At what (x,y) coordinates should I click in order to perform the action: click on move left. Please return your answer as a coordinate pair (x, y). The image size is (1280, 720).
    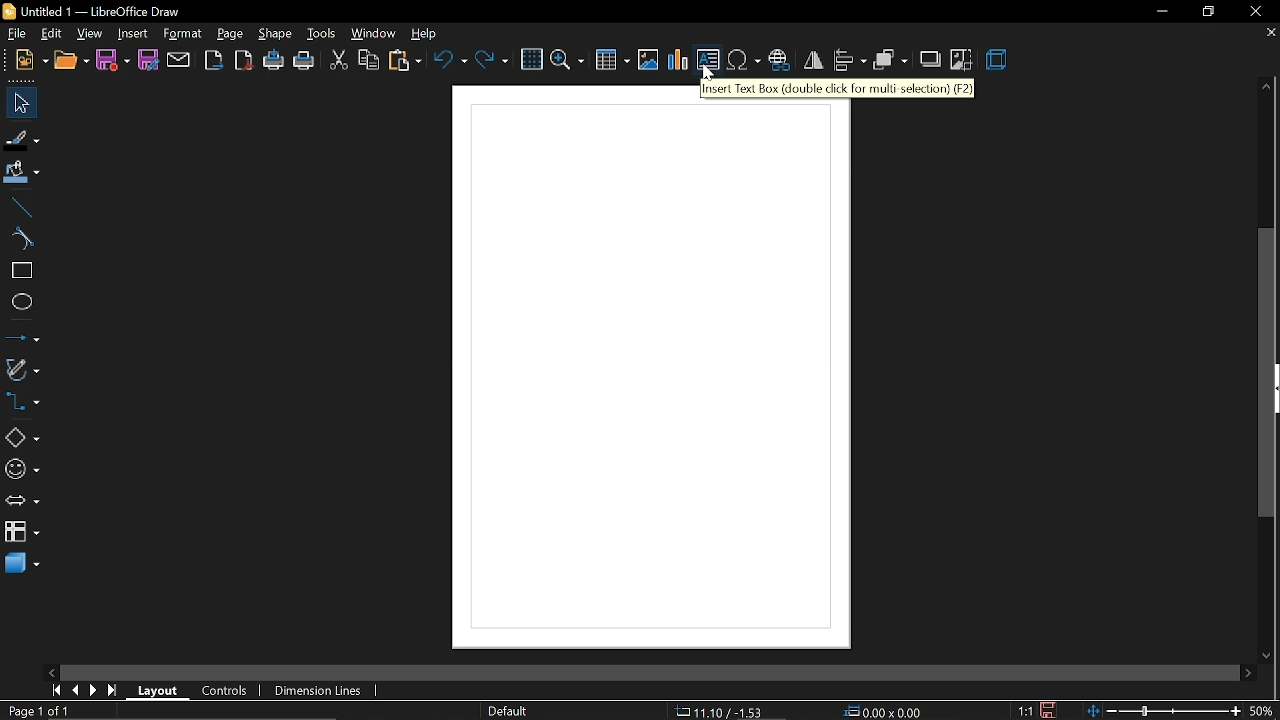
    Looking at the image, I should click on (51, 671).